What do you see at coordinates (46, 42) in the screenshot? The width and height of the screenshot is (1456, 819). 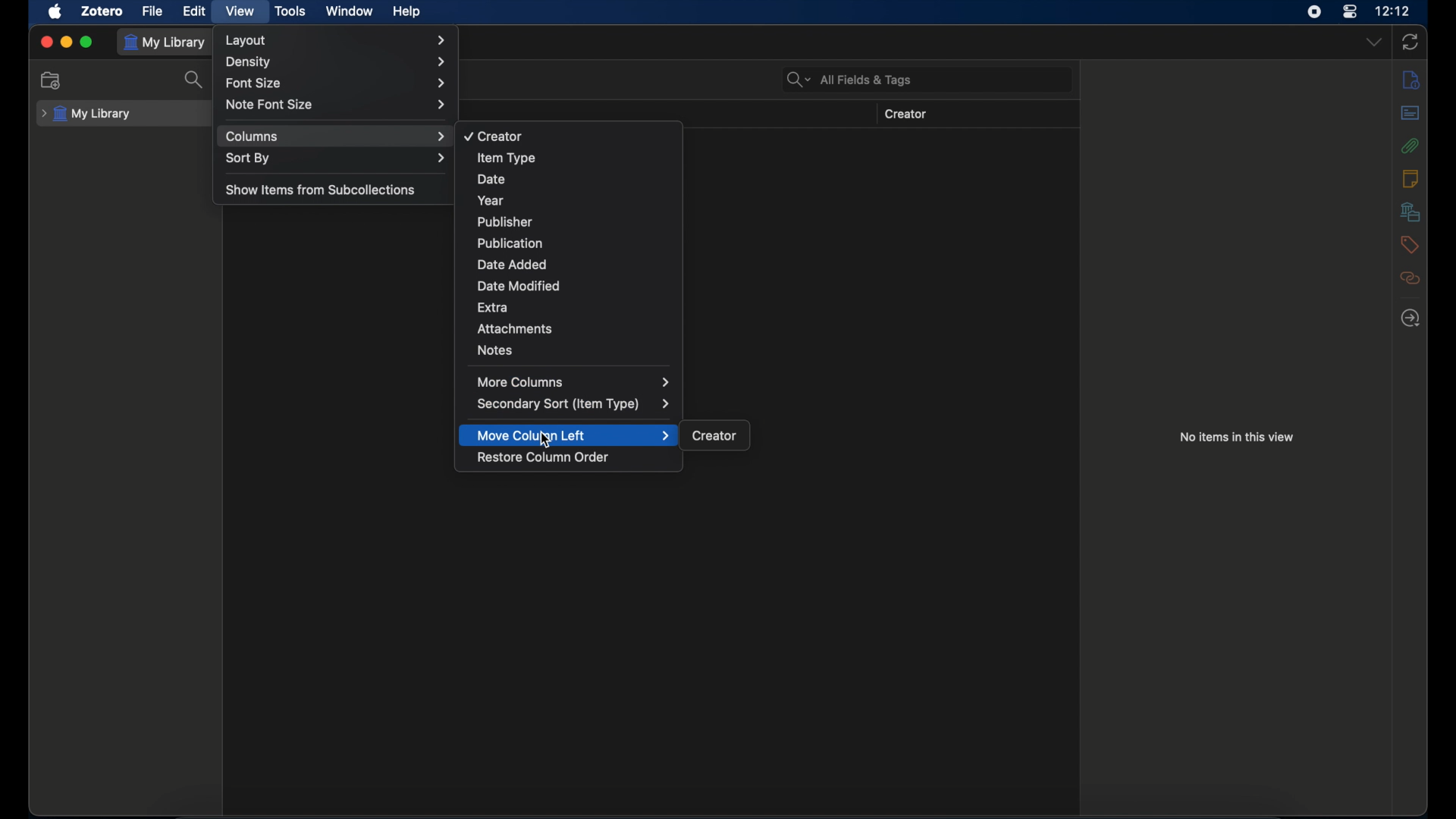 I see `close` at bounding box center [46, 42].